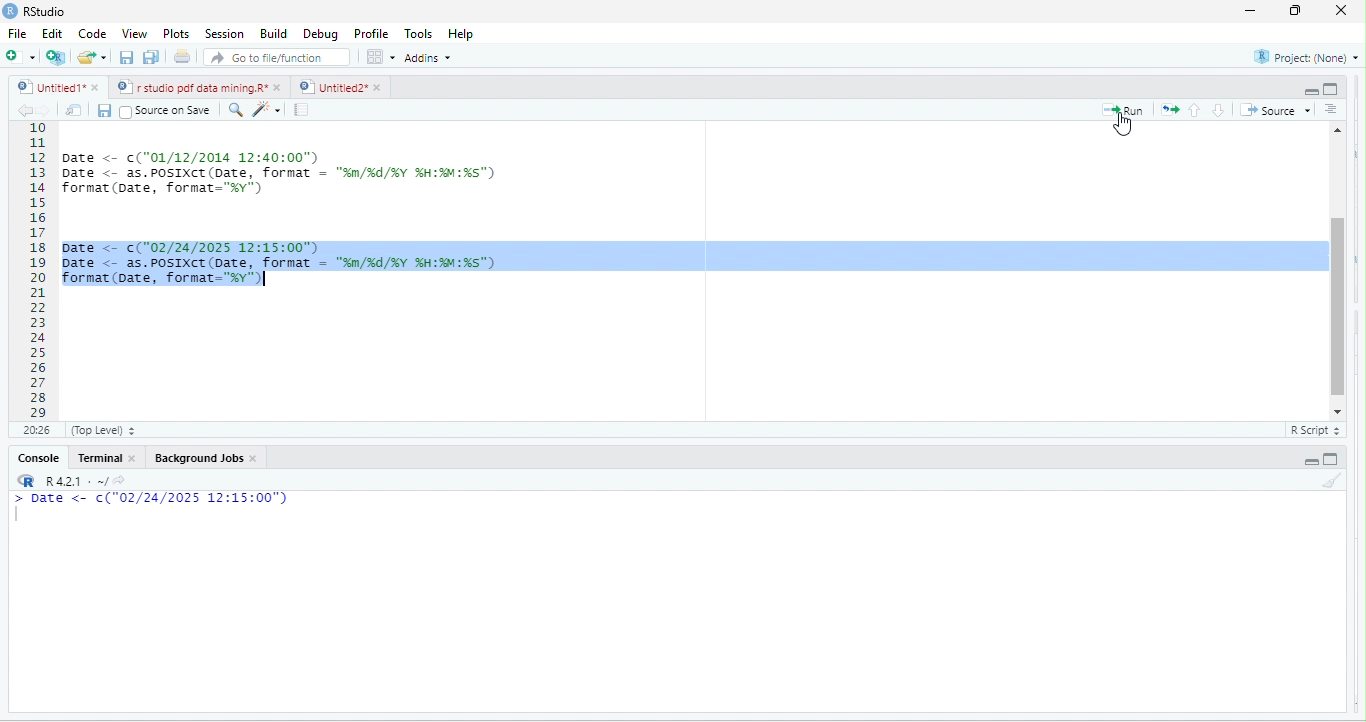 The height and width of the screenshot is (722, 1366). Describe the element at coordinates (1197, 109) in the screenshot. I see `go to previous section/chunk` at that location.